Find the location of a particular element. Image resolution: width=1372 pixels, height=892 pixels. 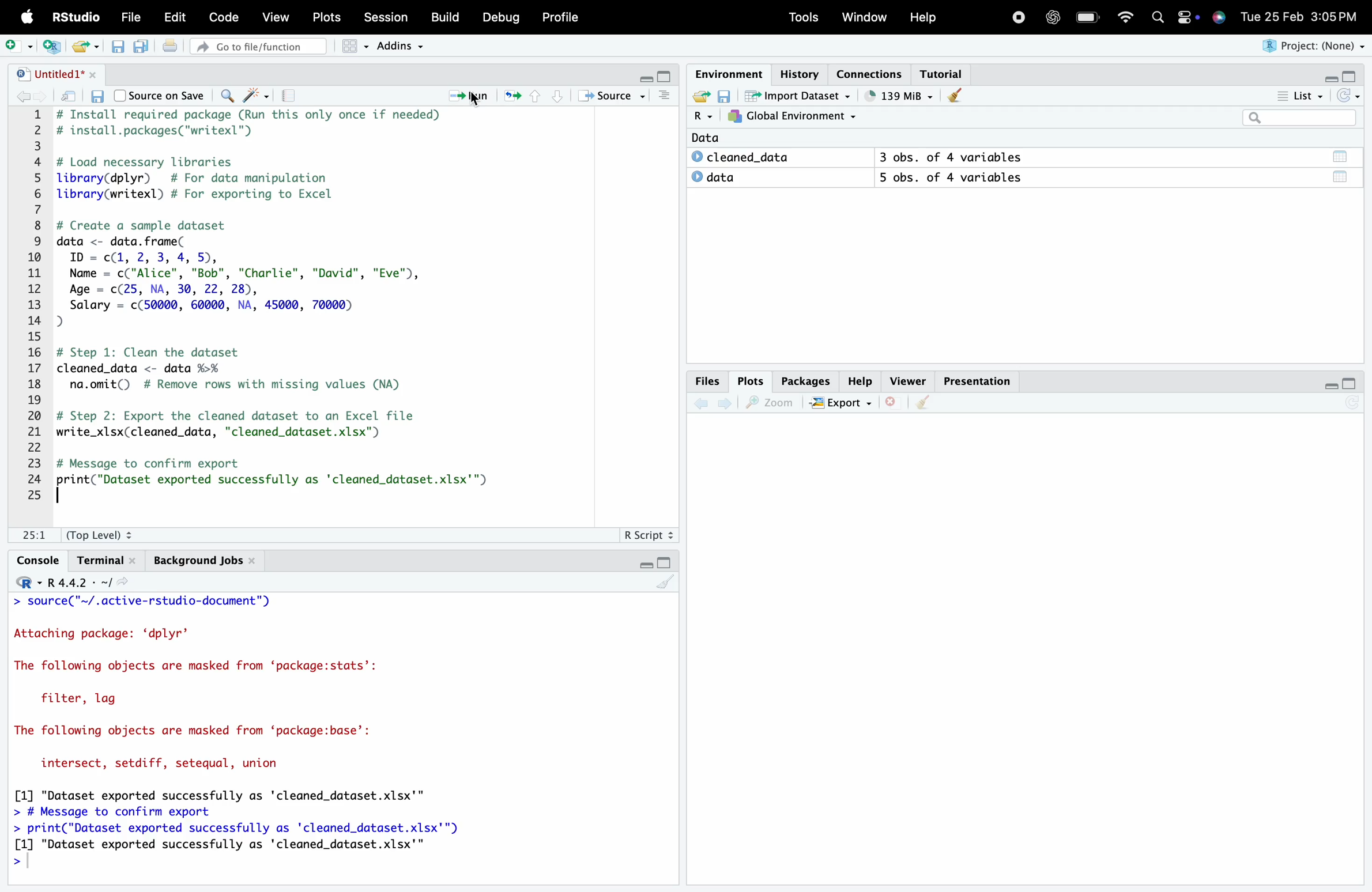

Re-run the previous code region (Ctrl + Alt + P) is located at coordinates (510, 96).